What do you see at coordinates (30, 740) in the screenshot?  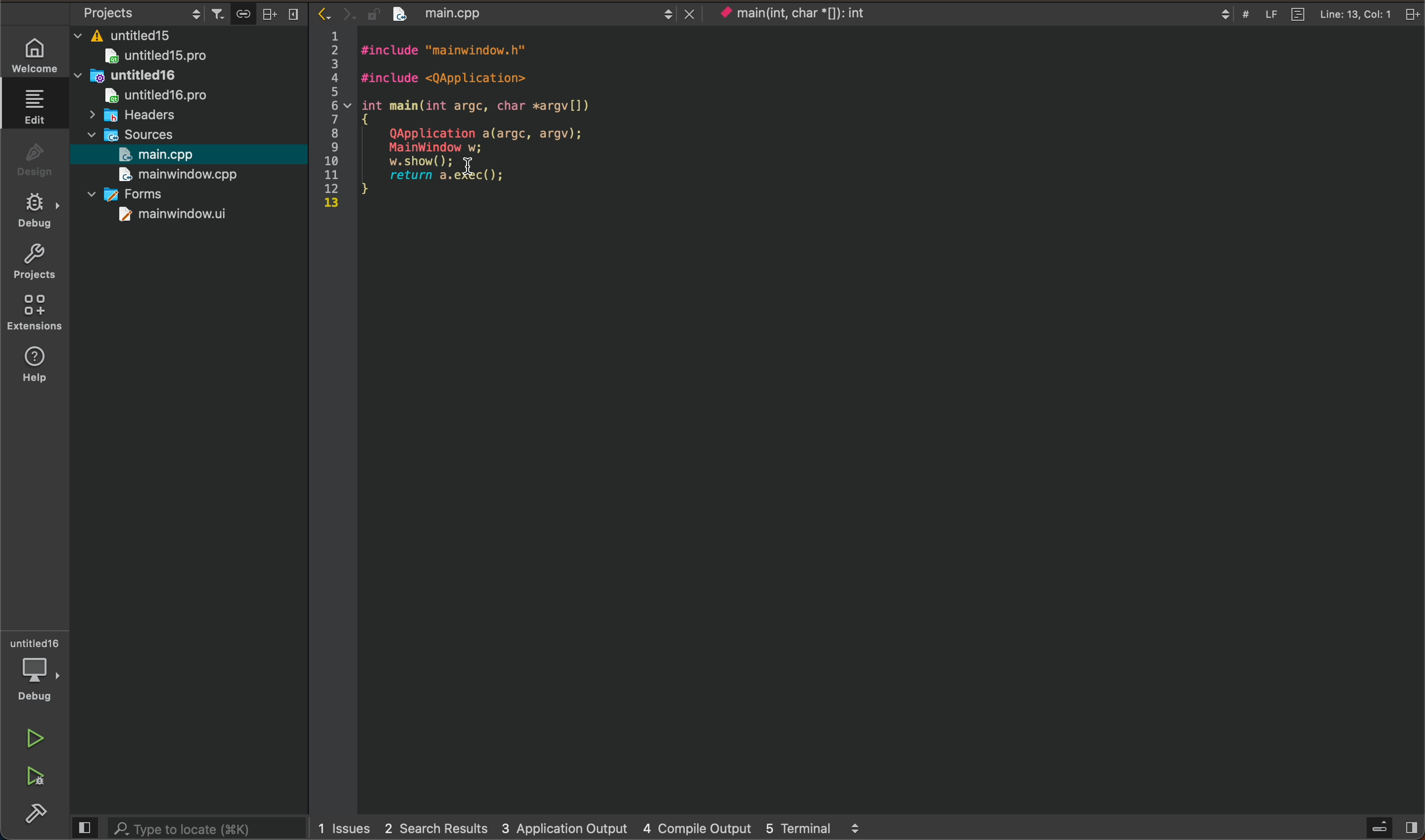 I see `run` at bounding box center [30, 740].